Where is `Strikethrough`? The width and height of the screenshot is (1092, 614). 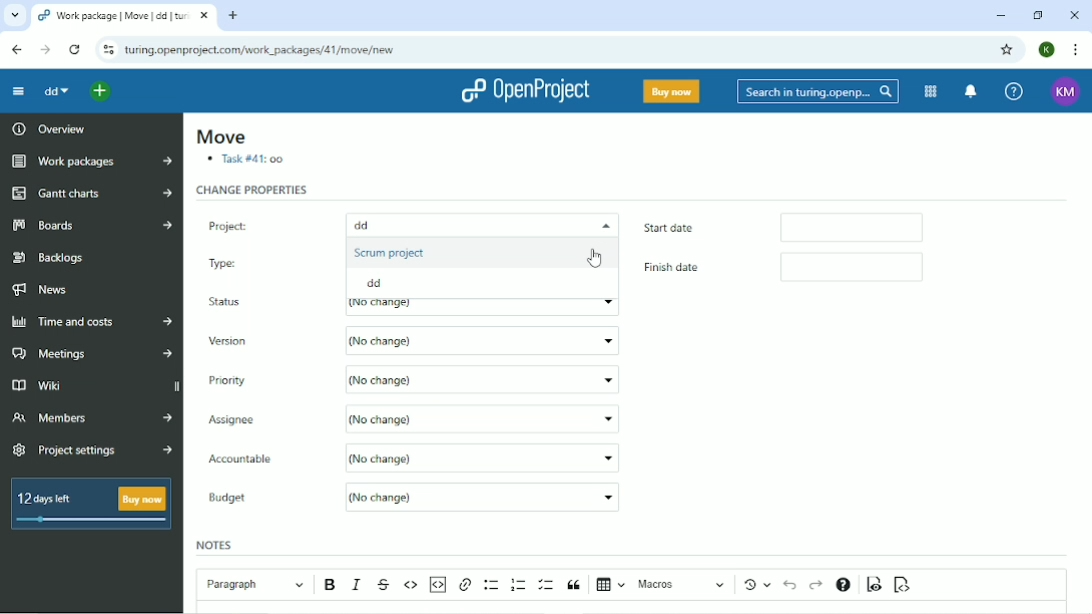
Strikethrough is located at coordinates (385, 585).